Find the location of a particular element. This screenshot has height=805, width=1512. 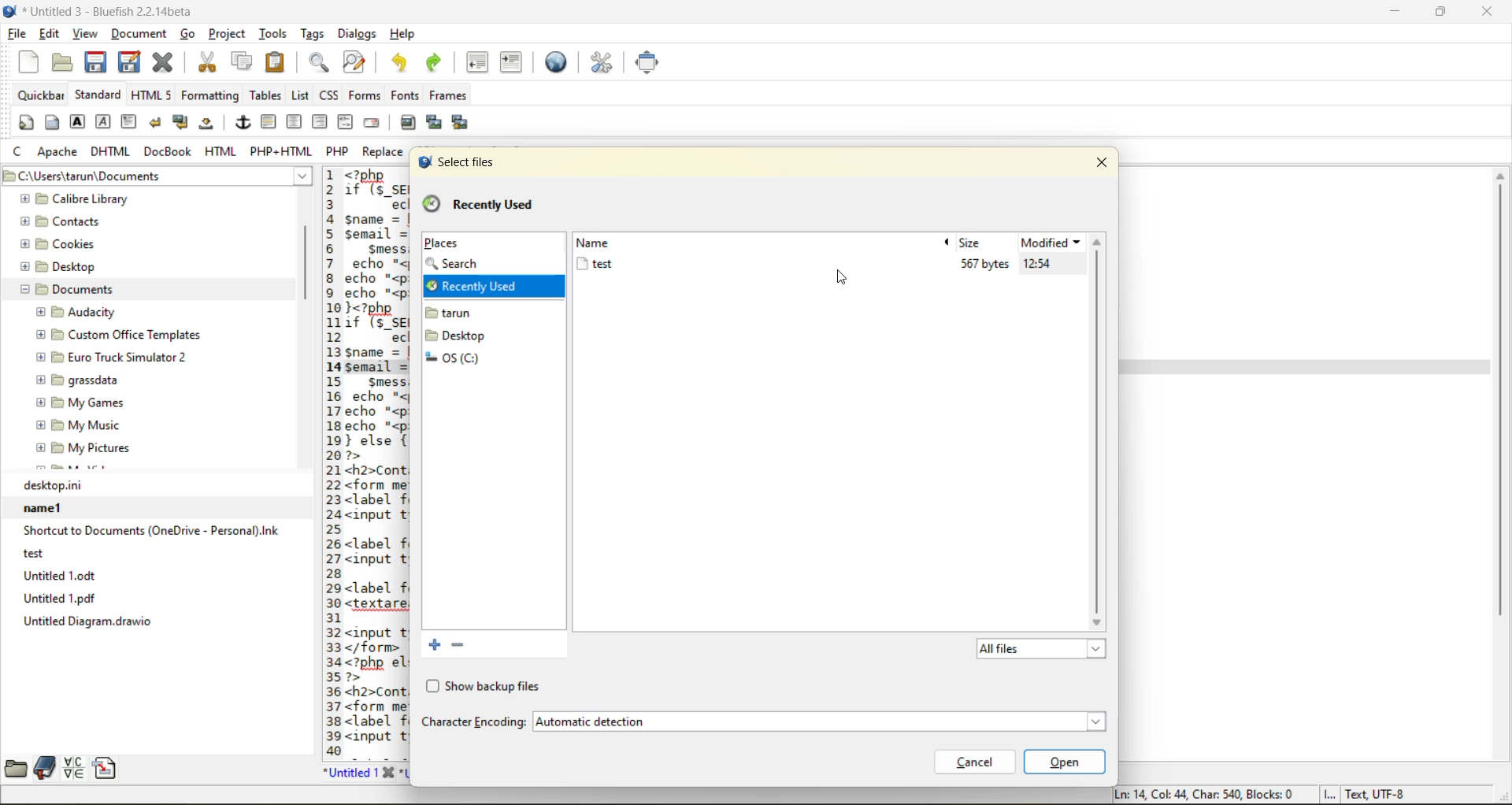

places is located at coordinates (442, 244).